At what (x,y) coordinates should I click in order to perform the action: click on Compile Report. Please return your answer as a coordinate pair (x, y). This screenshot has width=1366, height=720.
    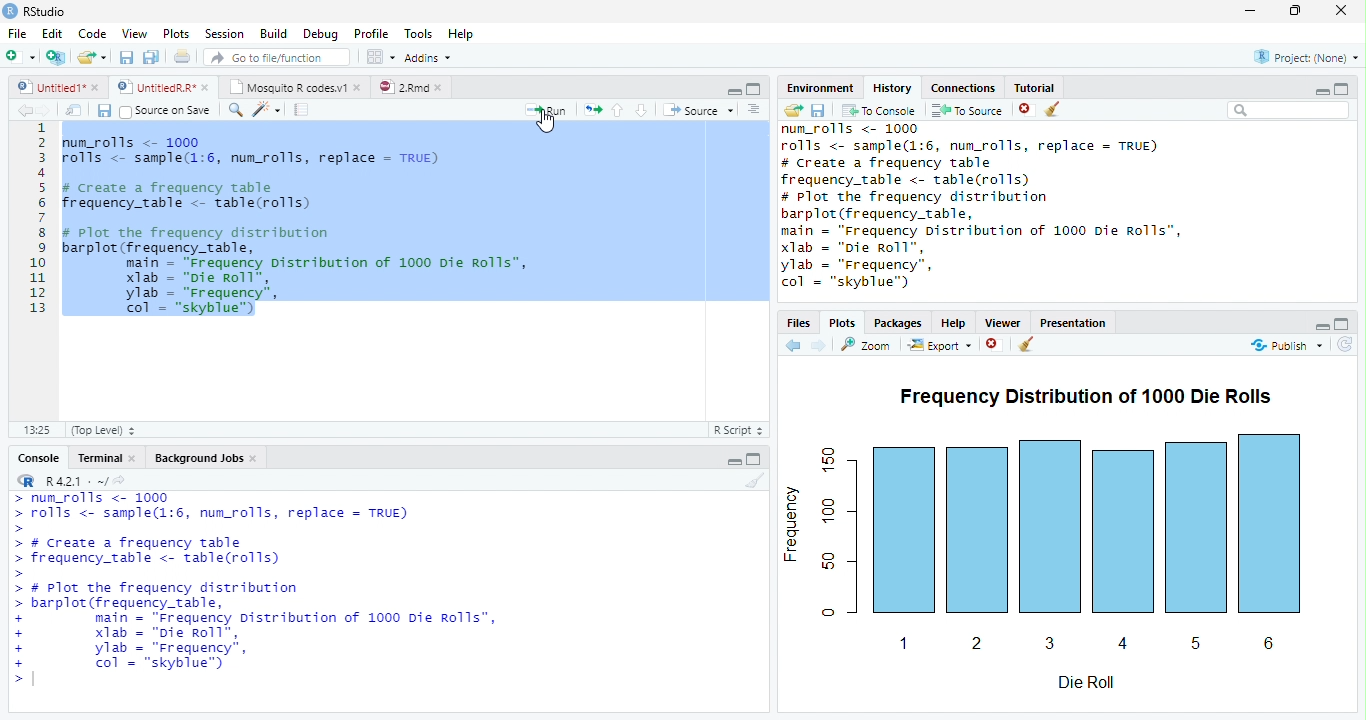
    Looking at the image, I should click on (303, 109).